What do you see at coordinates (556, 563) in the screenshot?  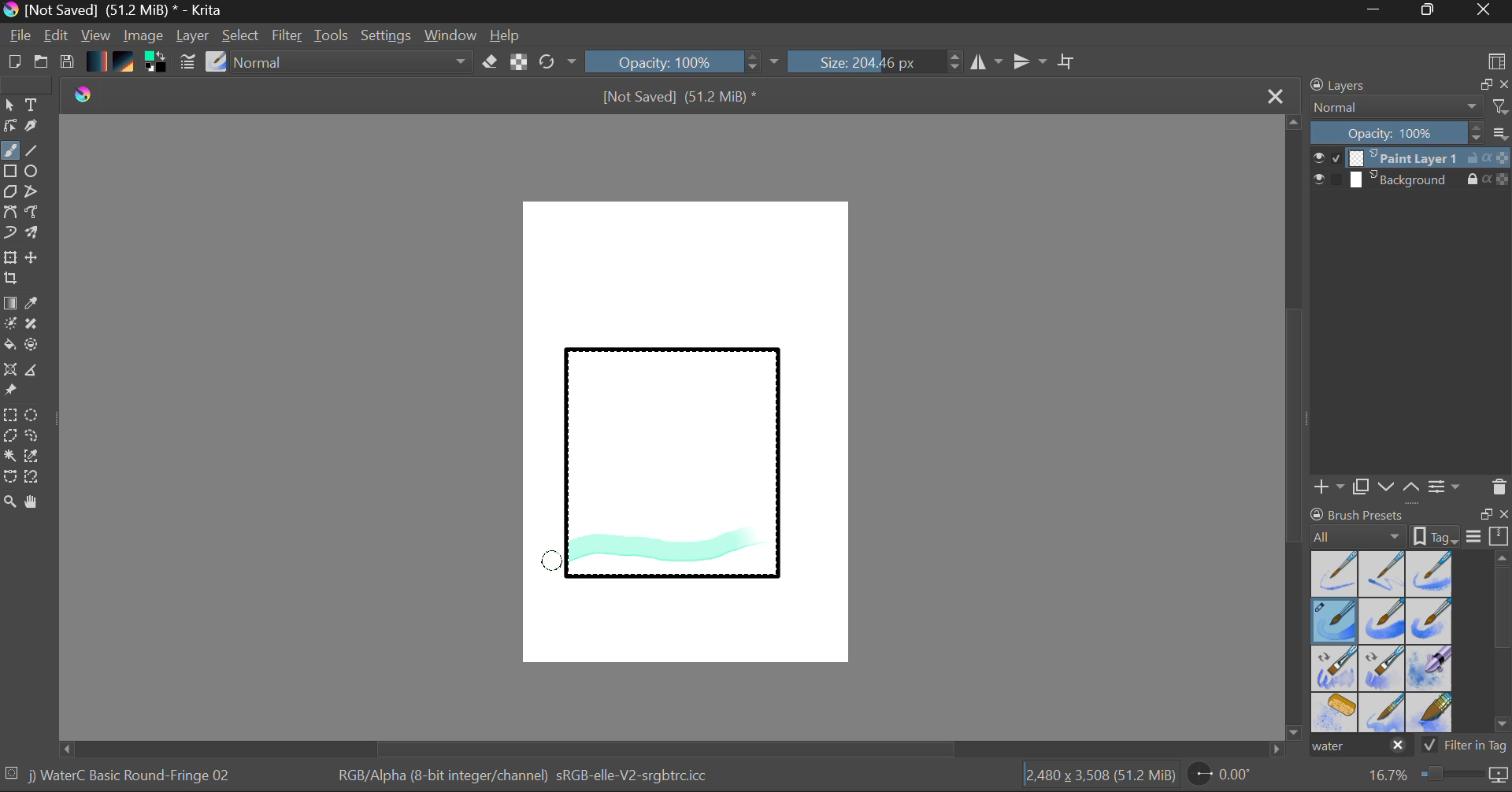 I see `DRAG_TO Cursor Stroke 1` at bounding box center [556, 563].